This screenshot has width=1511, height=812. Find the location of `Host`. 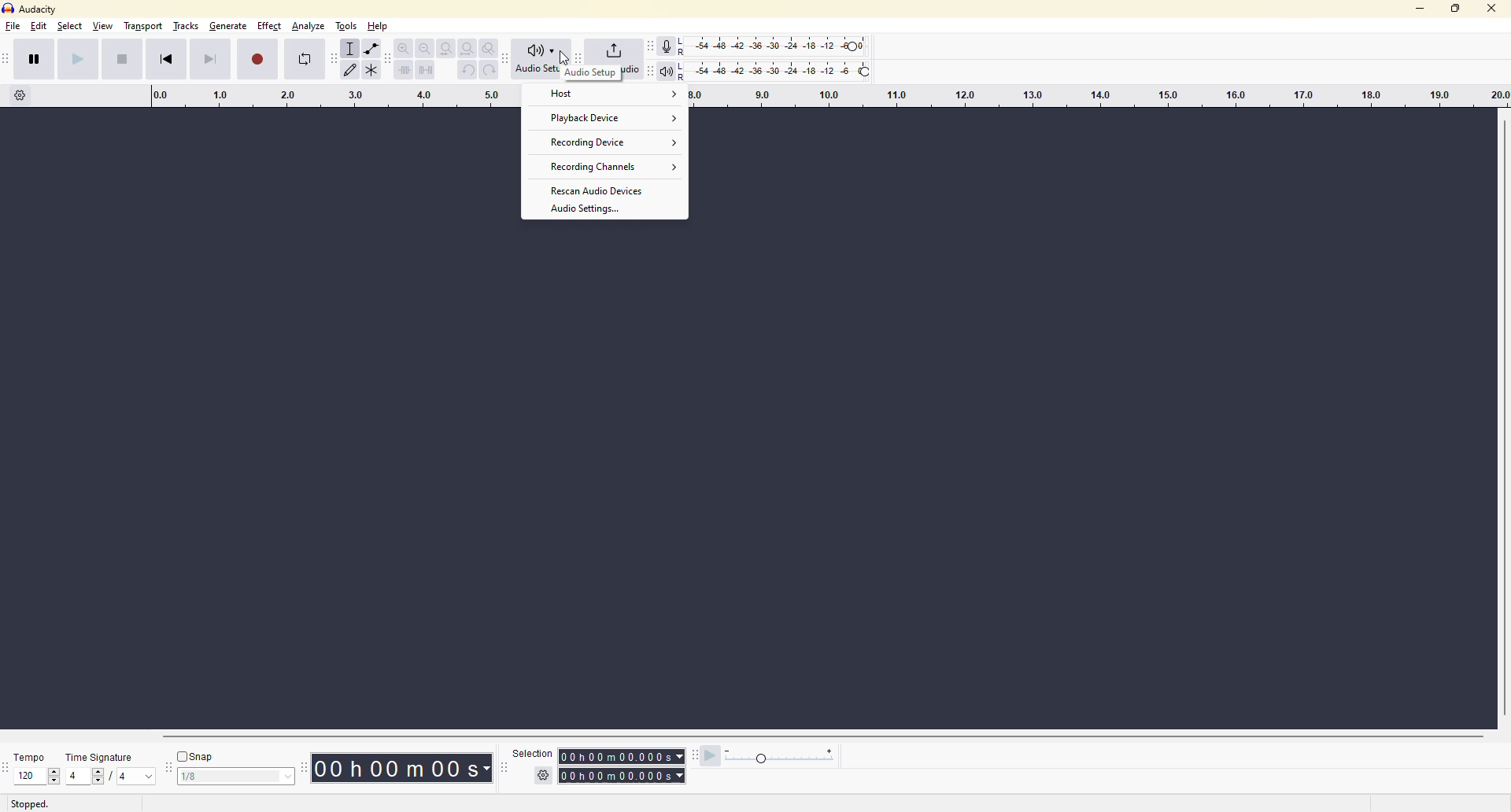

Host is located at coordinates (610, 97).